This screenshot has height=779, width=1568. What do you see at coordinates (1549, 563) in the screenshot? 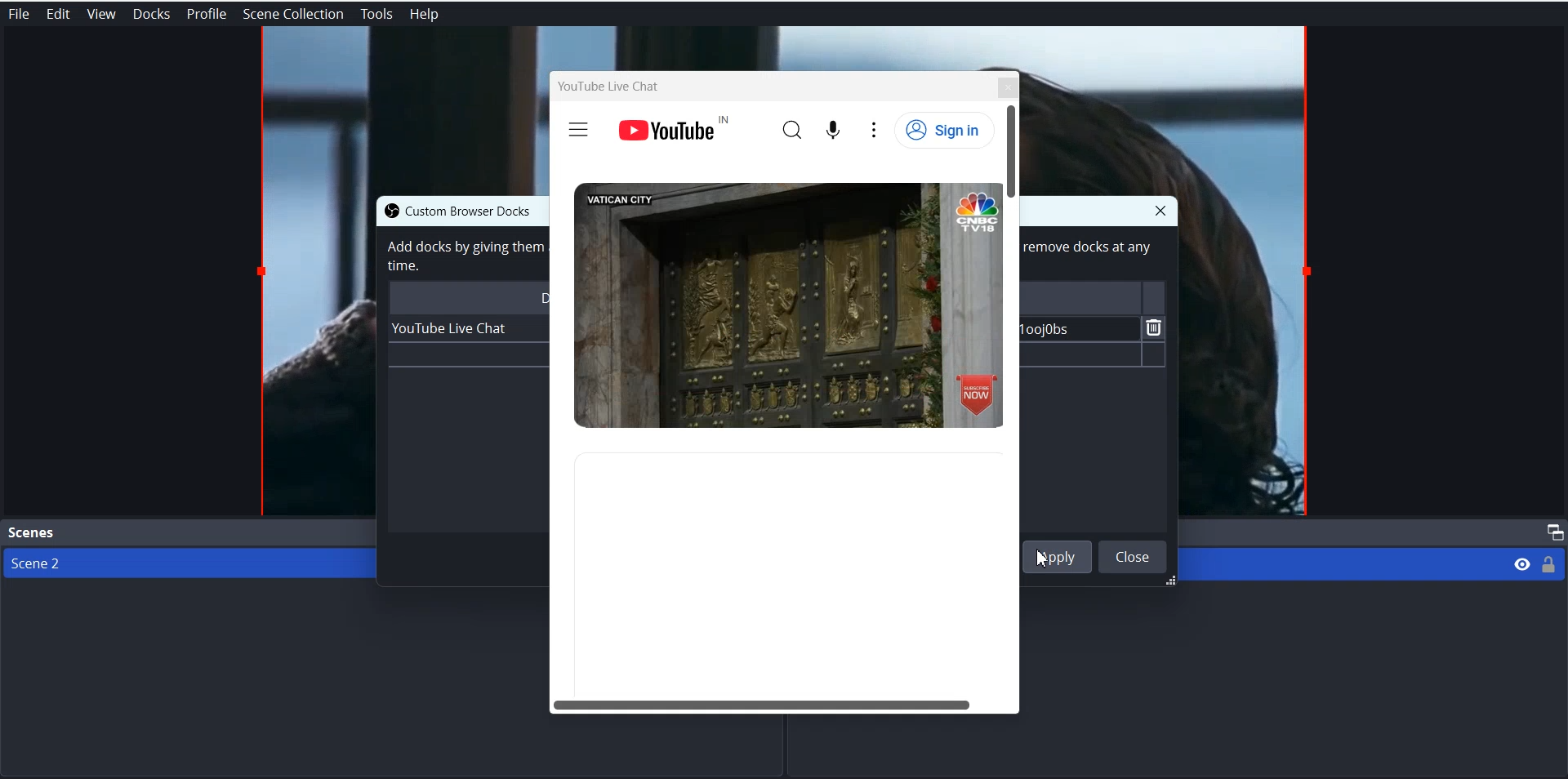
I see `Lock/ Unlock` at bounding box center [1549, 563].